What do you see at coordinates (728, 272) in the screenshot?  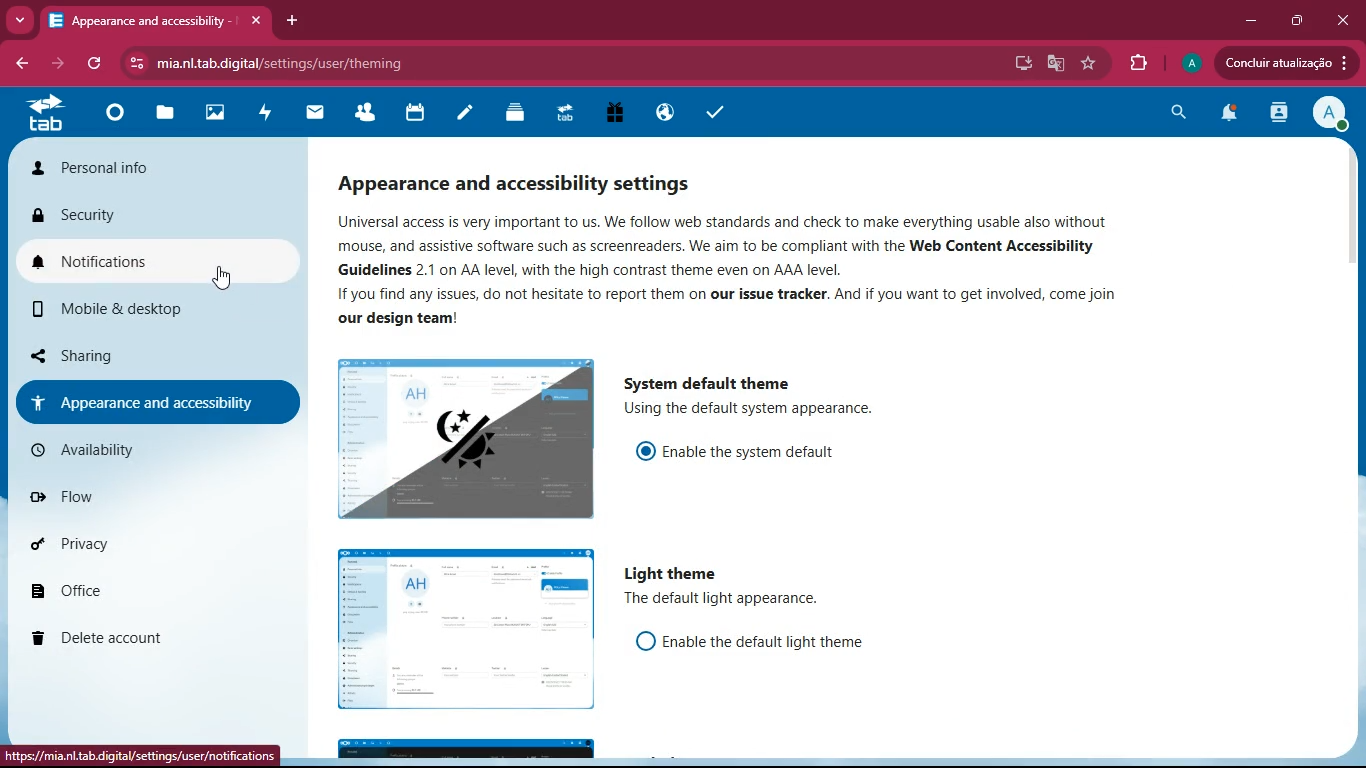 I see `Universal access is very important to us. We follow web standards and check to make everything usable also without
mouse, and assistive software such as screenreaders. We aim to be compliant with the Web Content Accessibility
Guidelines 2.1 on AA level, with the high contrast theme even on AAA level.

If you find any issues, do not hesitate to report them on our issue tracker. And if you want to get involved, come join
our design team!` at bounding box center [728, 272].